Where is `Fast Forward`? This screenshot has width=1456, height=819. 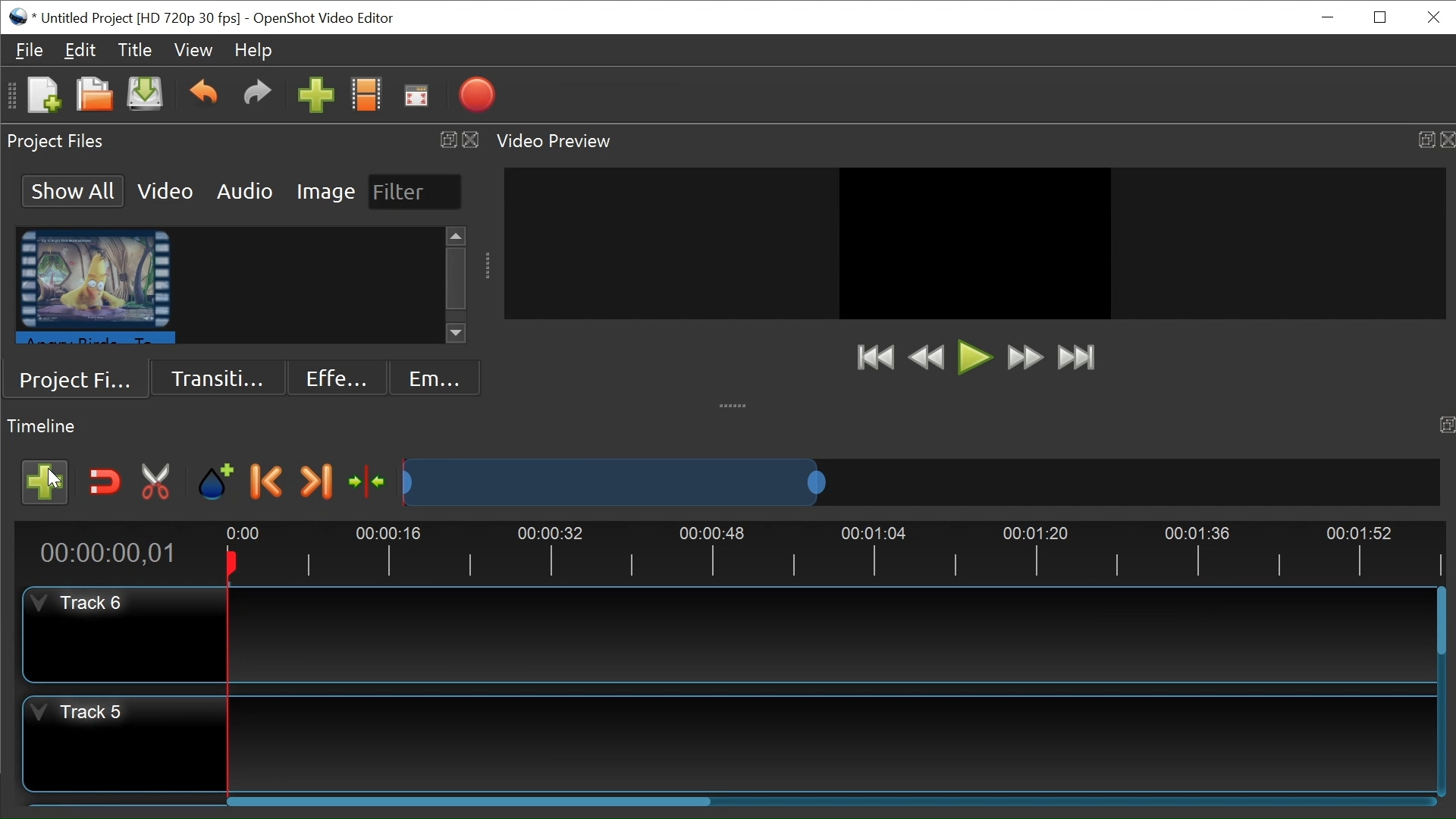 Fast Forward is located at coordinates (1025, 357).